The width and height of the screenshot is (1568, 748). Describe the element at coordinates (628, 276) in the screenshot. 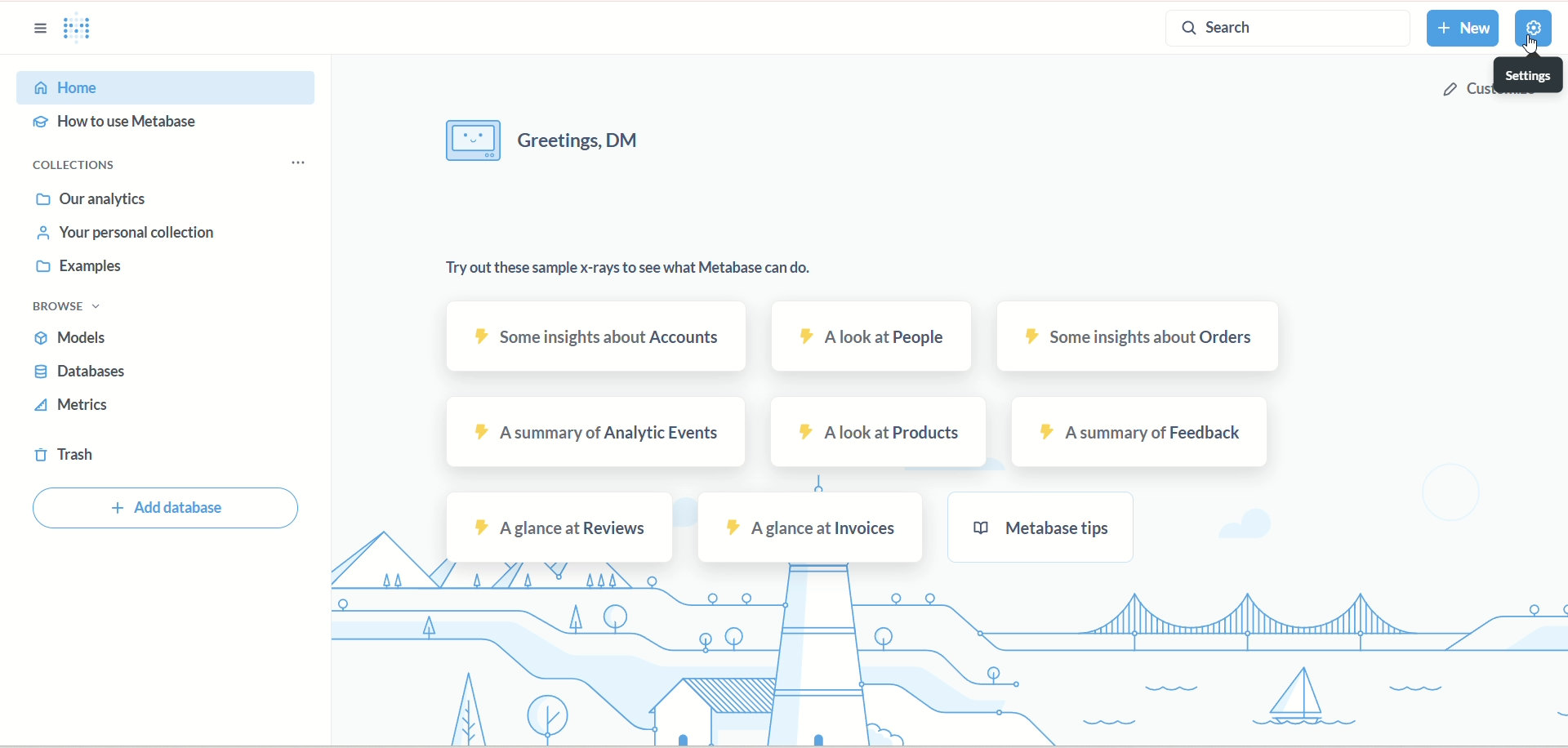

I see `try out these sample x-rays to see what metabase can do` at that location.